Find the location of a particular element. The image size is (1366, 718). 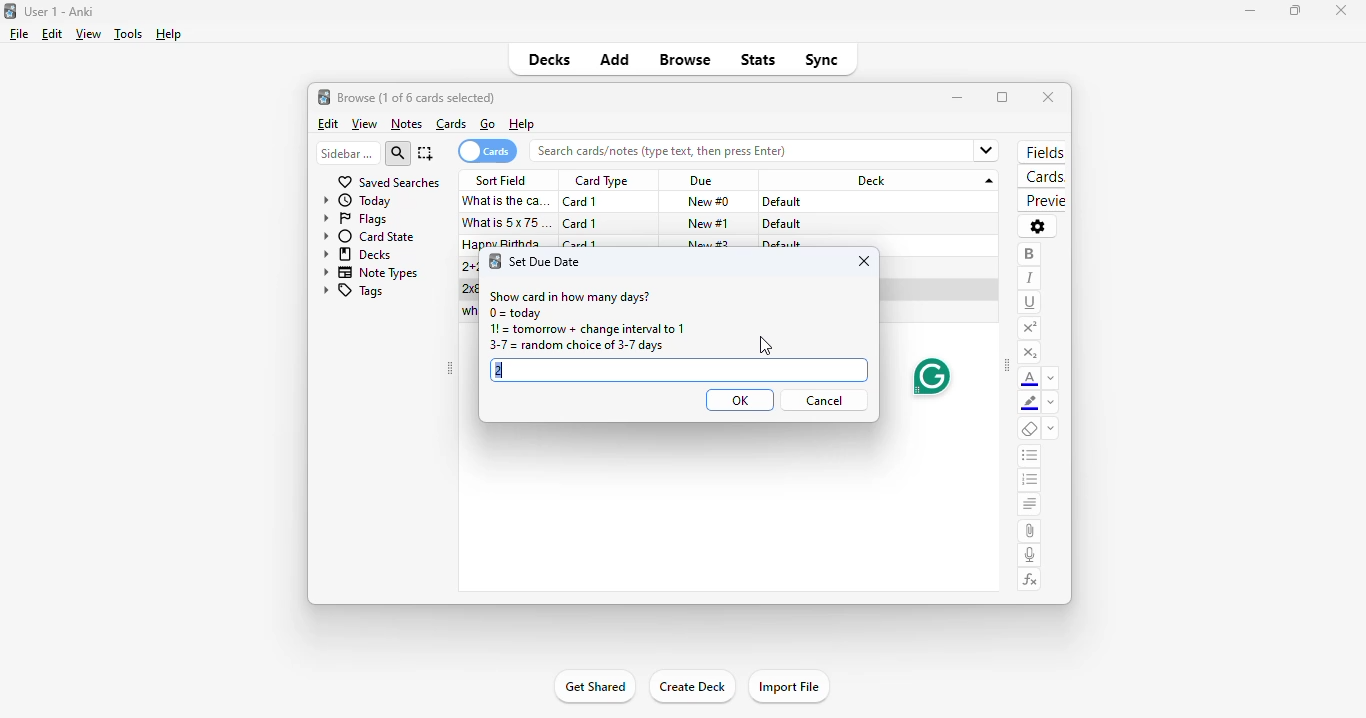

OK is located at coordinates (739, 401).